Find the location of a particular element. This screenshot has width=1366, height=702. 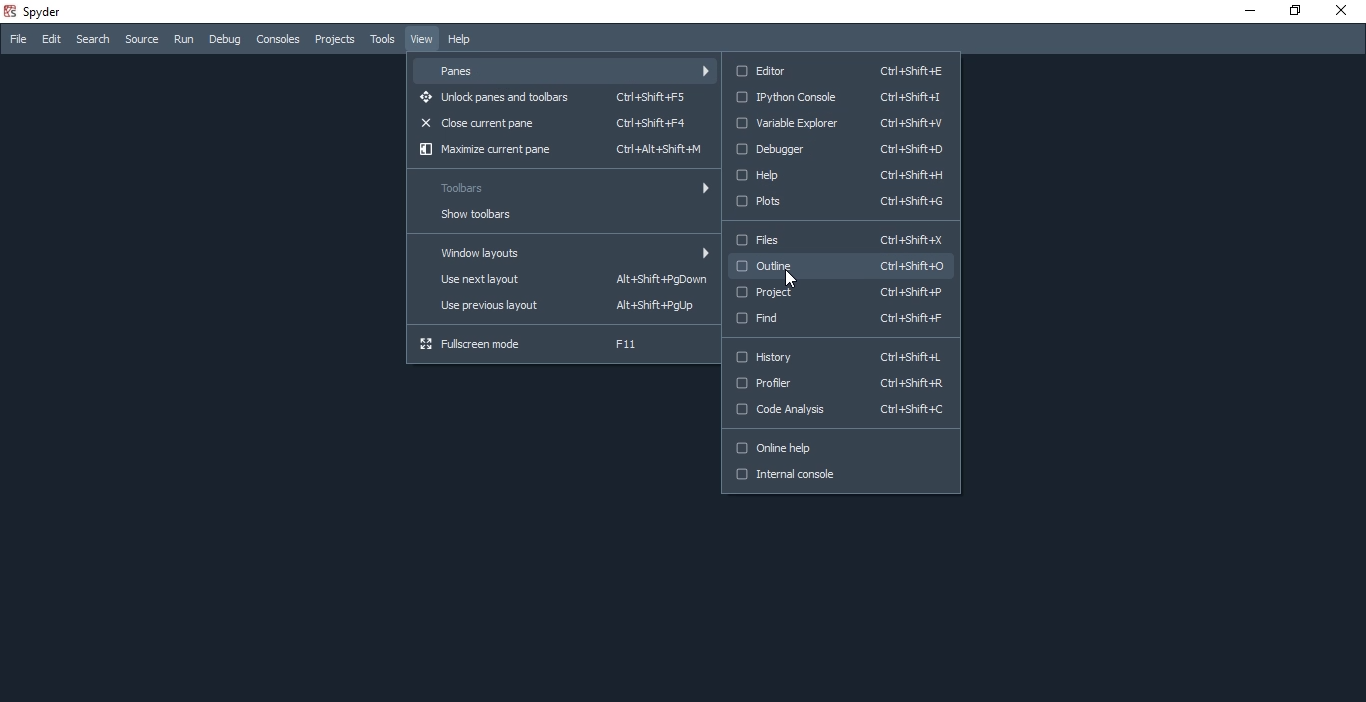

Window layouts is located at coordinates (558, 252).